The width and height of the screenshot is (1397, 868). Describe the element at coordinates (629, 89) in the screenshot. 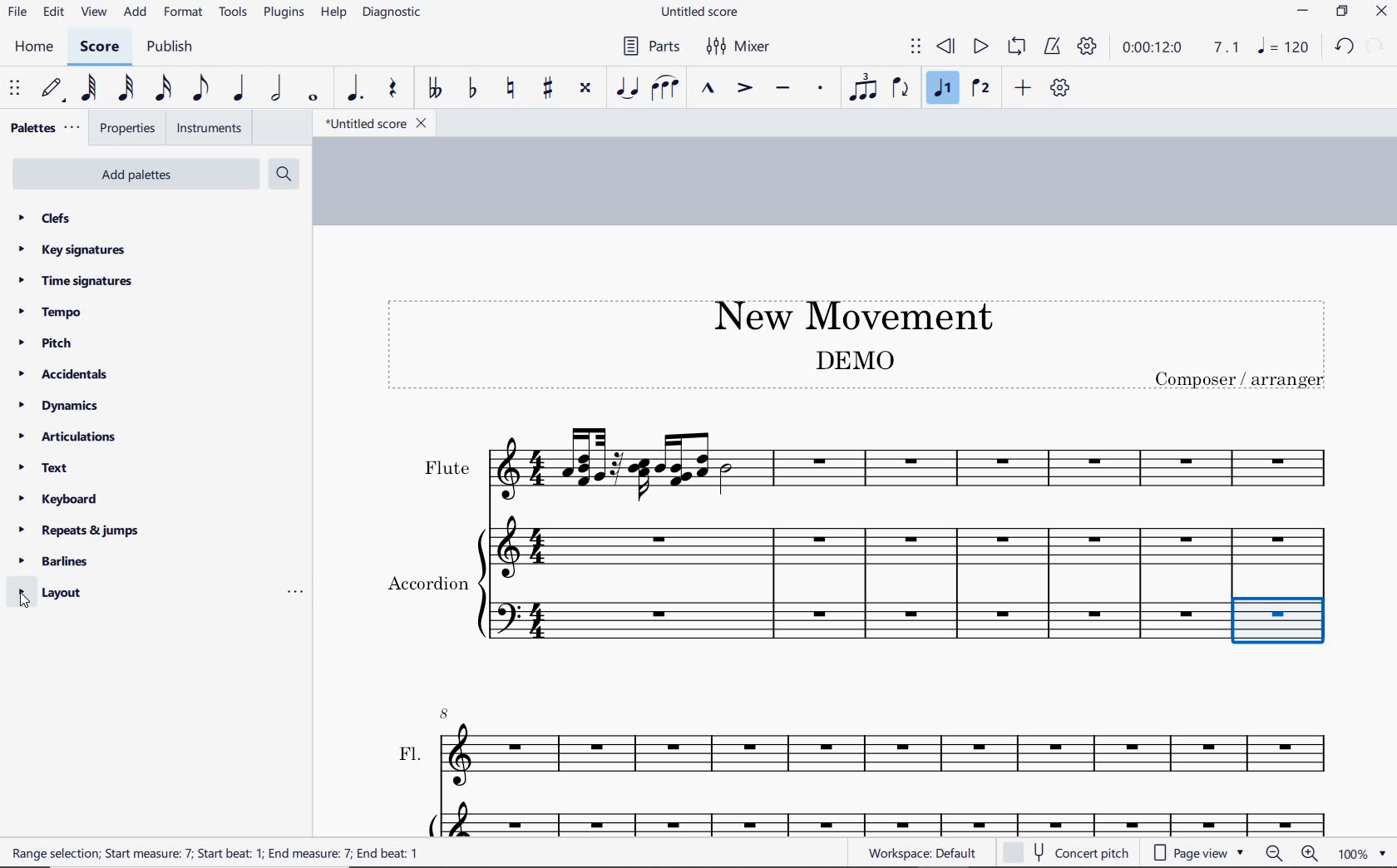

I see `tie` at that location.